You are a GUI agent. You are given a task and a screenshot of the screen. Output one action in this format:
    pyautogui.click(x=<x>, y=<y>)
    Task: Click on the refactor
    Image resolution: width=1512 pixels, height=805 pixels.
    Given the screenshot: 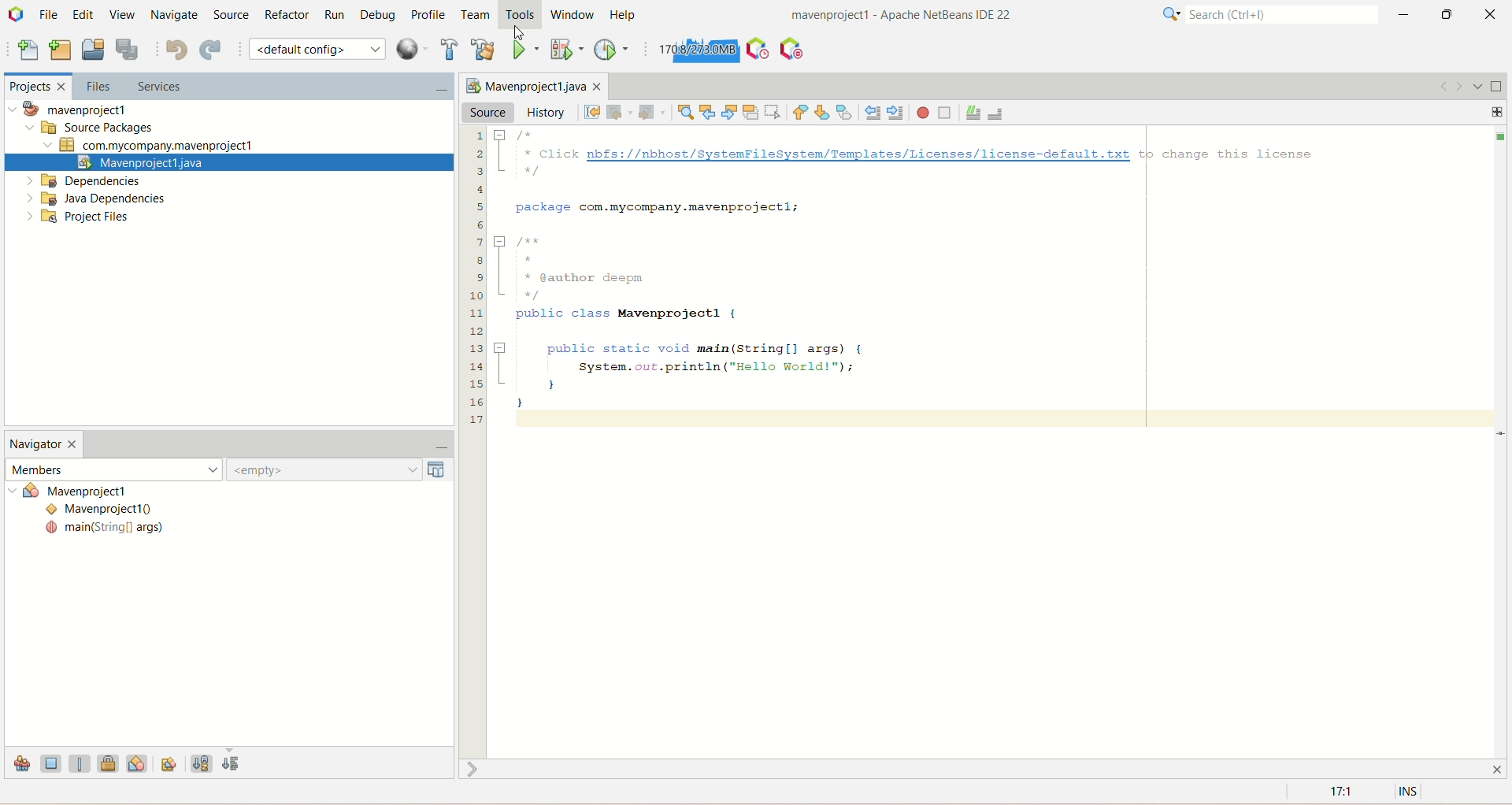 What is the action you would take?
    pyautogui.click(x=287, y=15)
    